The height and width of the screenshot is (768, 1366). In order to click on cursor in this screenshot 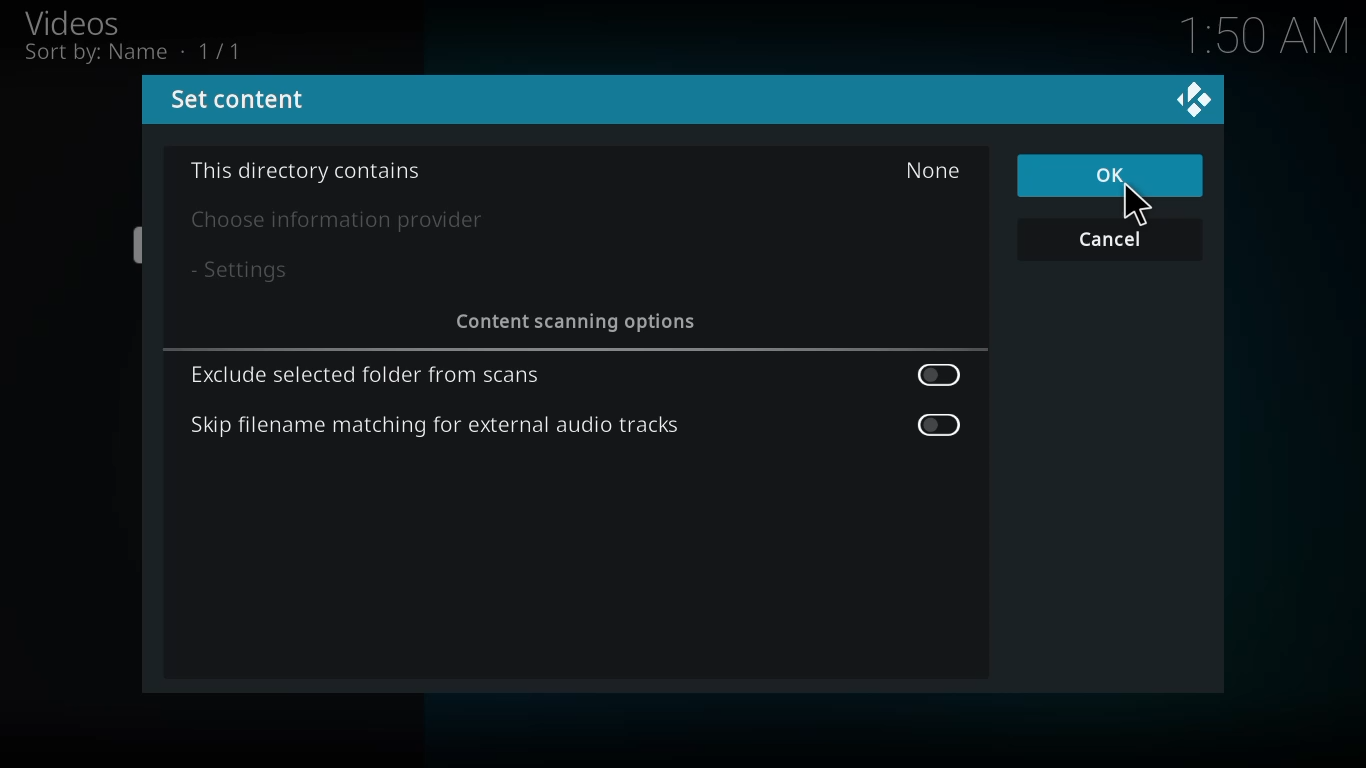, I will do `click(1137, 207)`.